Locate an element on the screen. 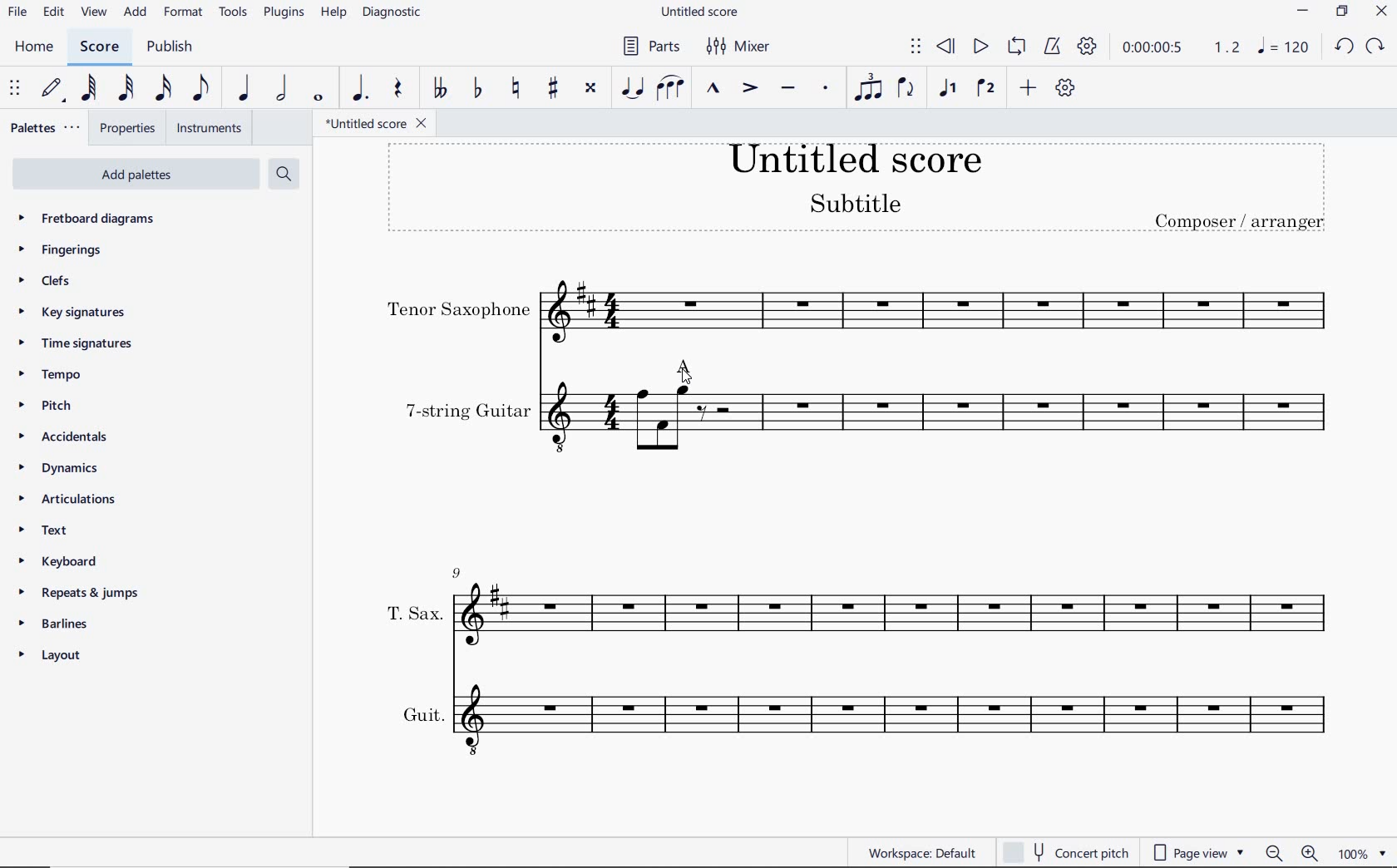  TIE is located at coordinates (631, 88).